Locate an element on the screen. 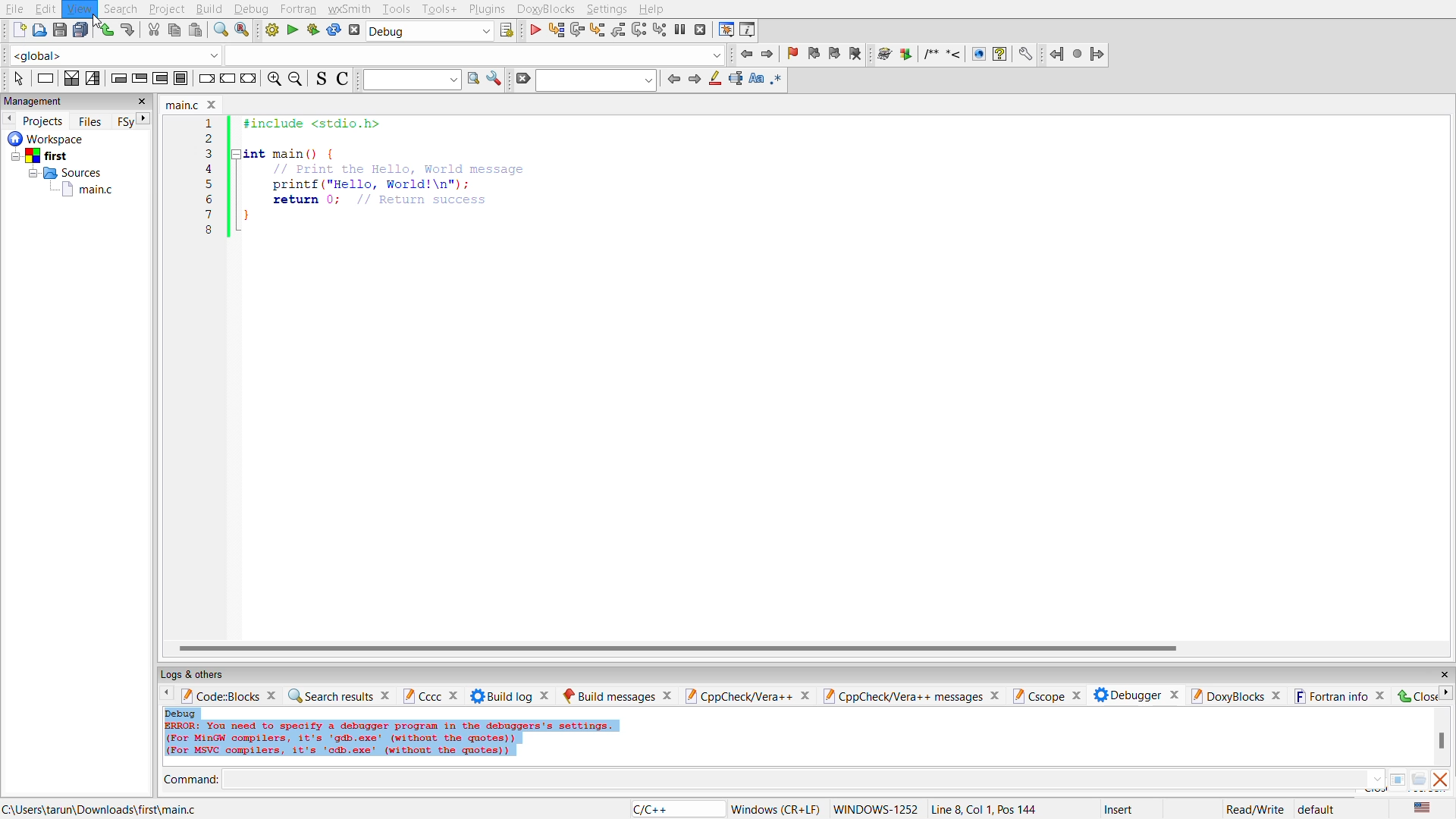 The width and height of the screenshot is (1456, 819). clear output window is located at coordinates (1442, 781).